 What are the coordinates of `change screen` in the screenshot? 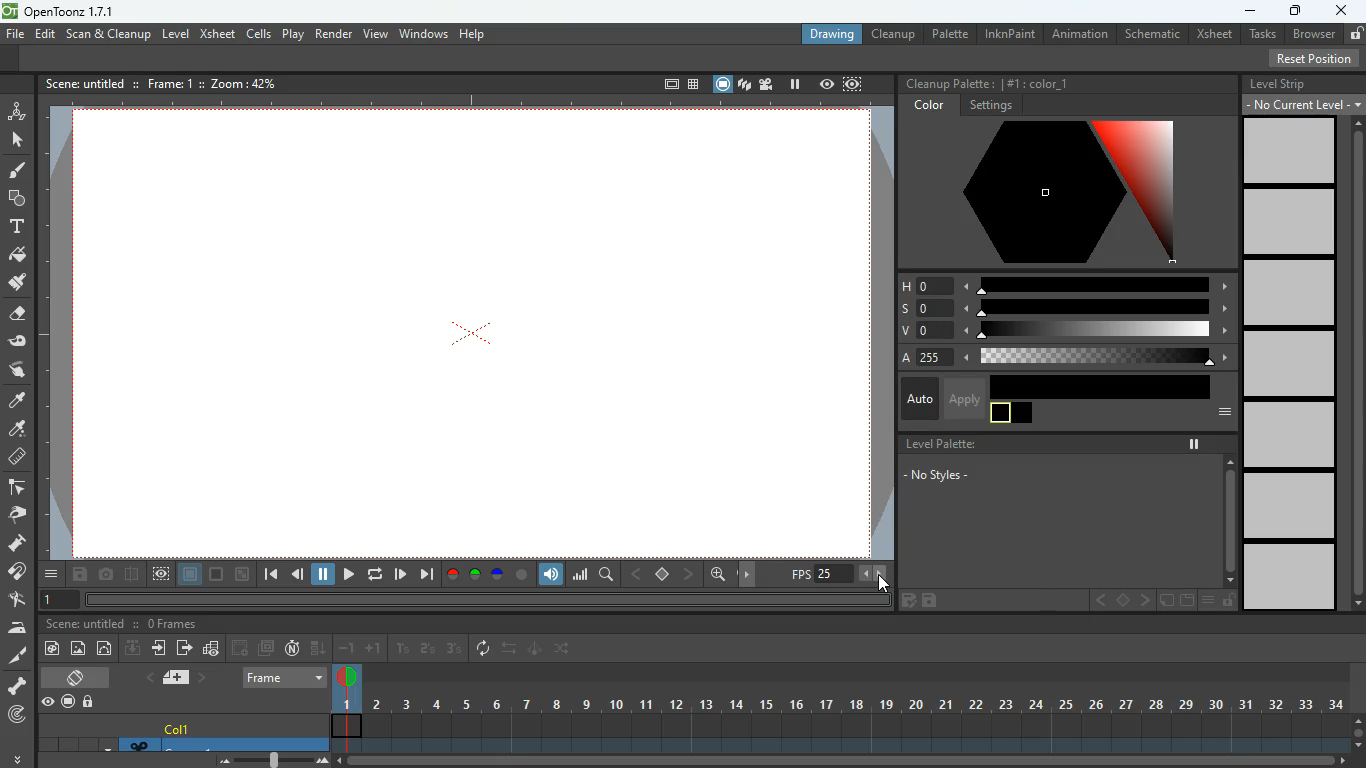 It's located at (77, 677).